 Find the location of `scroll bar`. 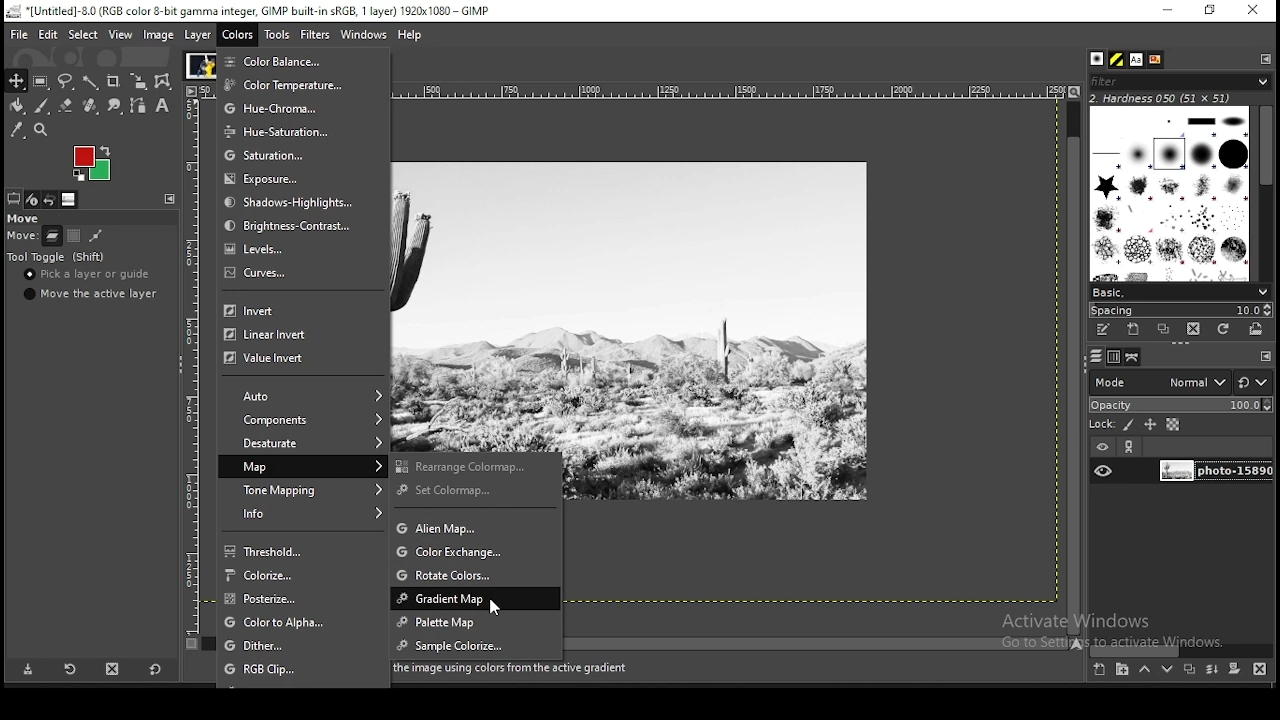

scroll bar is located at coordinates (820, 642).